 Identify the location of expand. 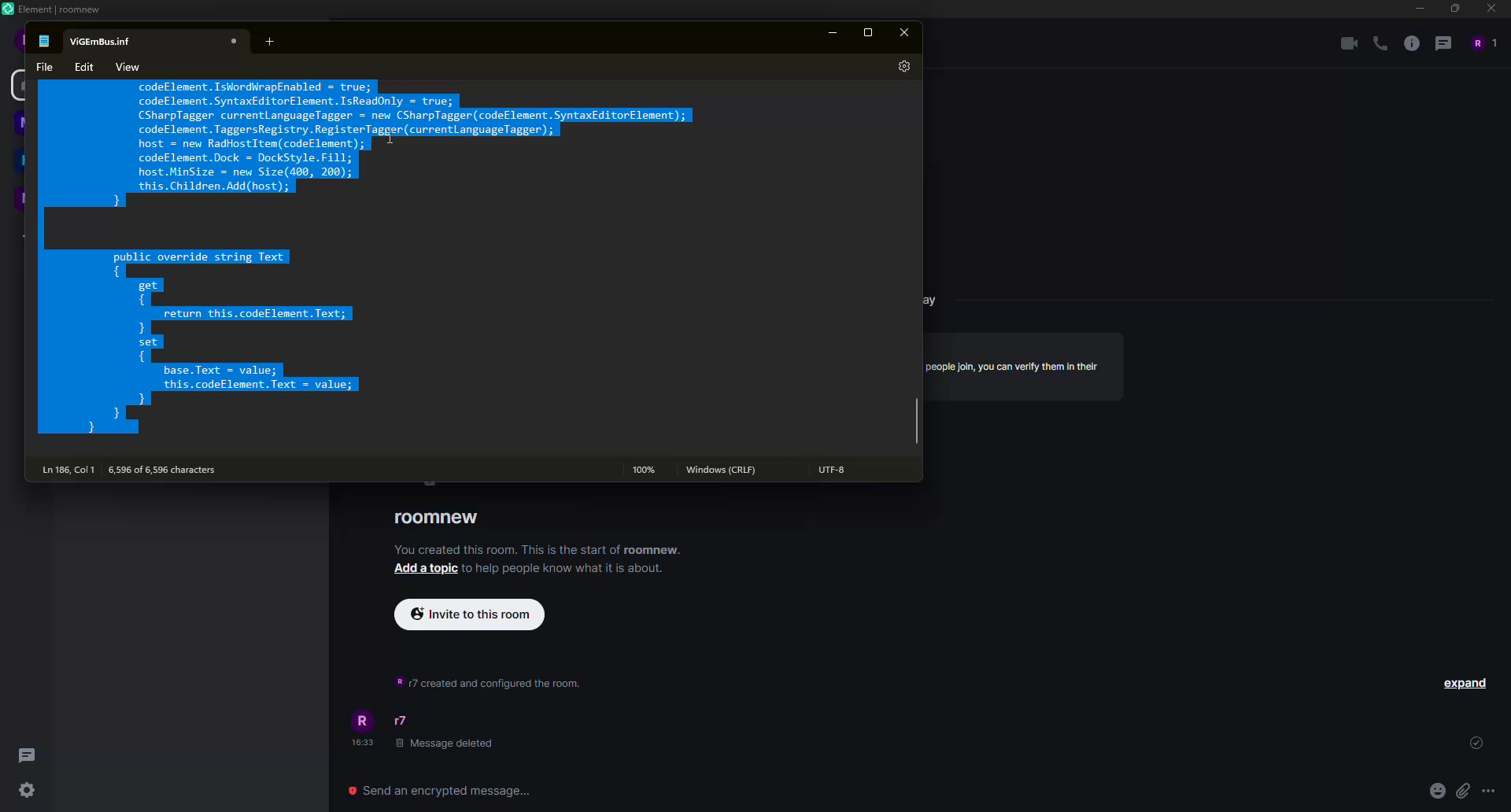
(1465, 682).